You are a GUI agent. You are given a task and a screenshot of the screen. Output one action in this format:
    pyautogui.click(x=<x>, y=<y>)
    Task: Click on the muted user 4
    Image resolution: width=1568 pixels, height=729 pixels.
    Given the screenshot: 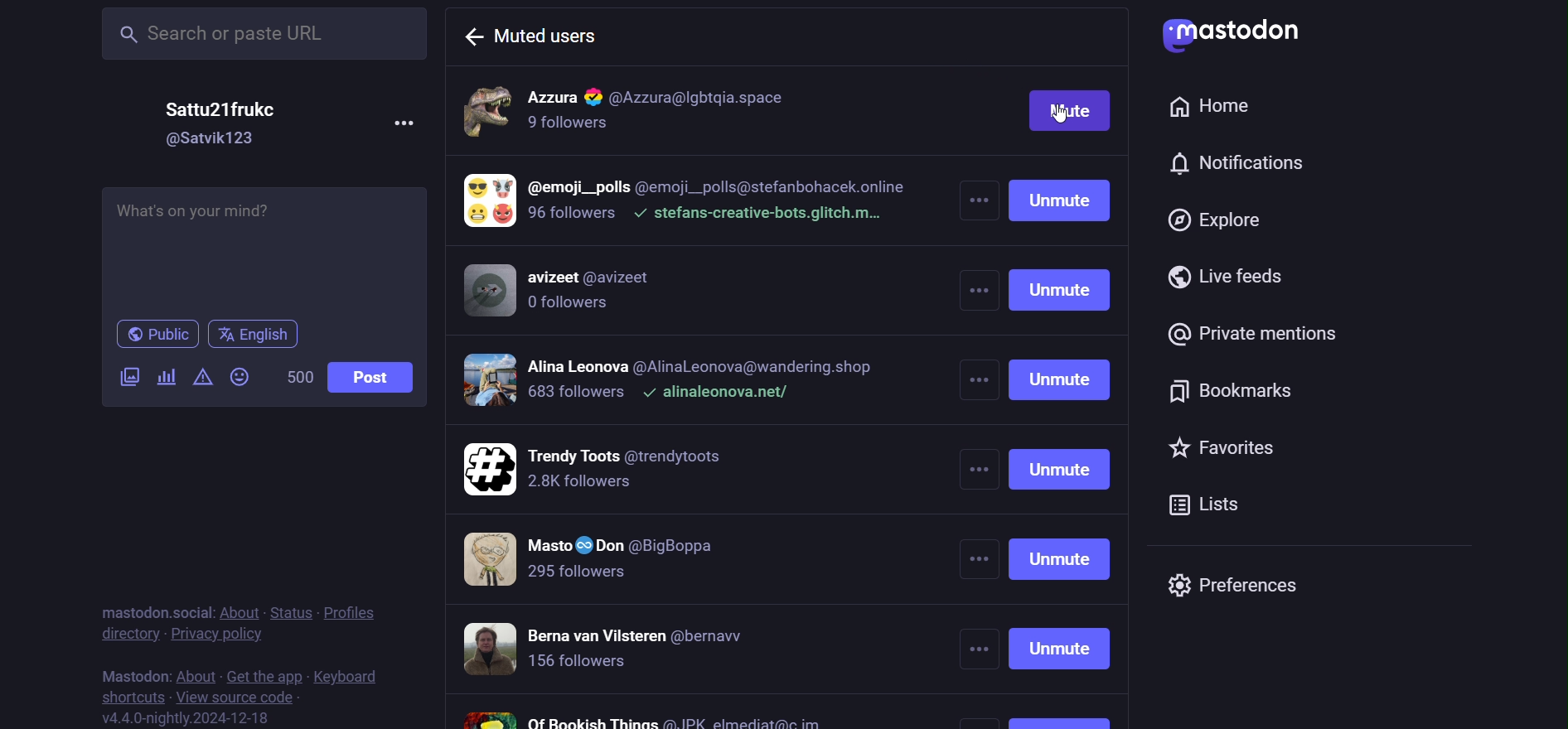 What is the action you would take?
    pyautogui.click(x=672, y=384)
    